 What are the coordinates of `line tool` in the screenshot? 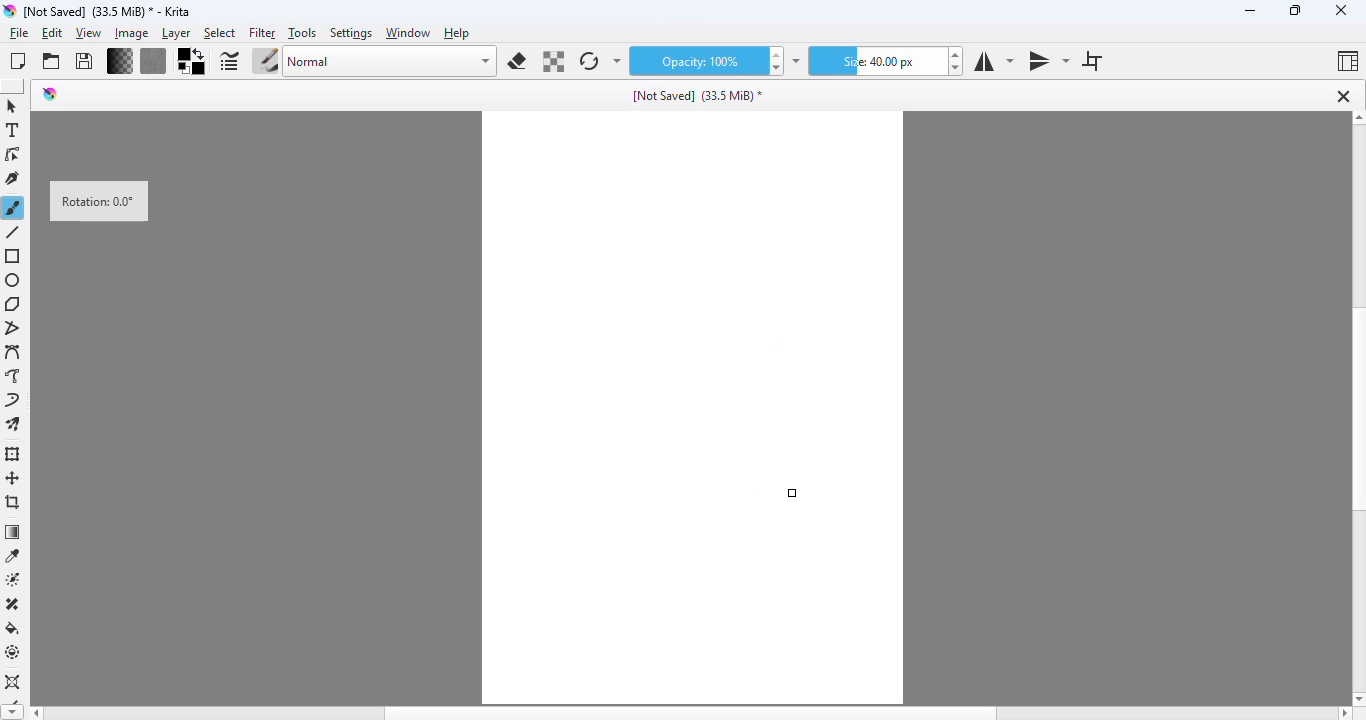 It's located at (13, 232).